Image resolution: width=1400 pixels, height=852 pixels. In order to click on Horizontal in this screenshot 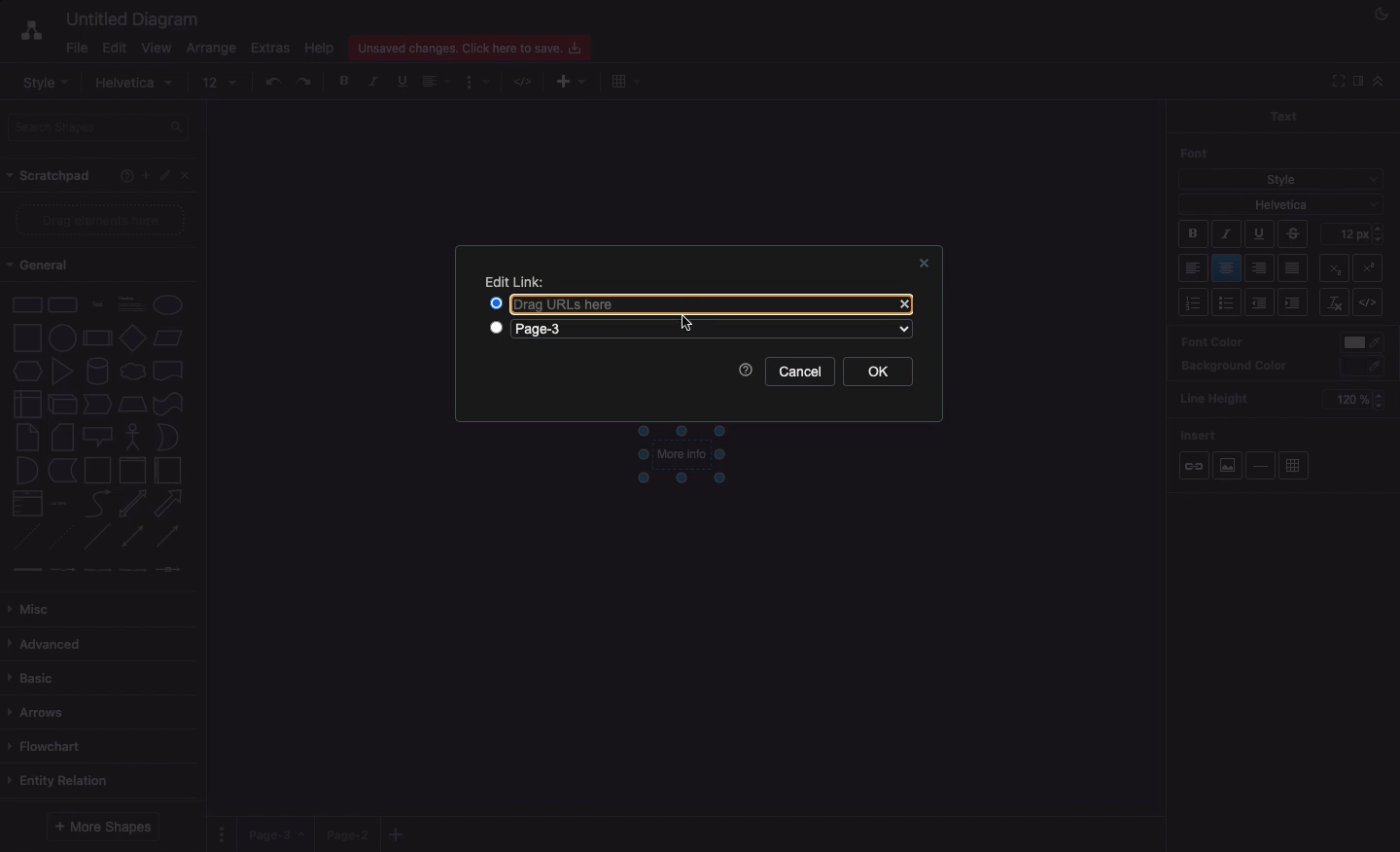, I will do `click(1263, 465)`.